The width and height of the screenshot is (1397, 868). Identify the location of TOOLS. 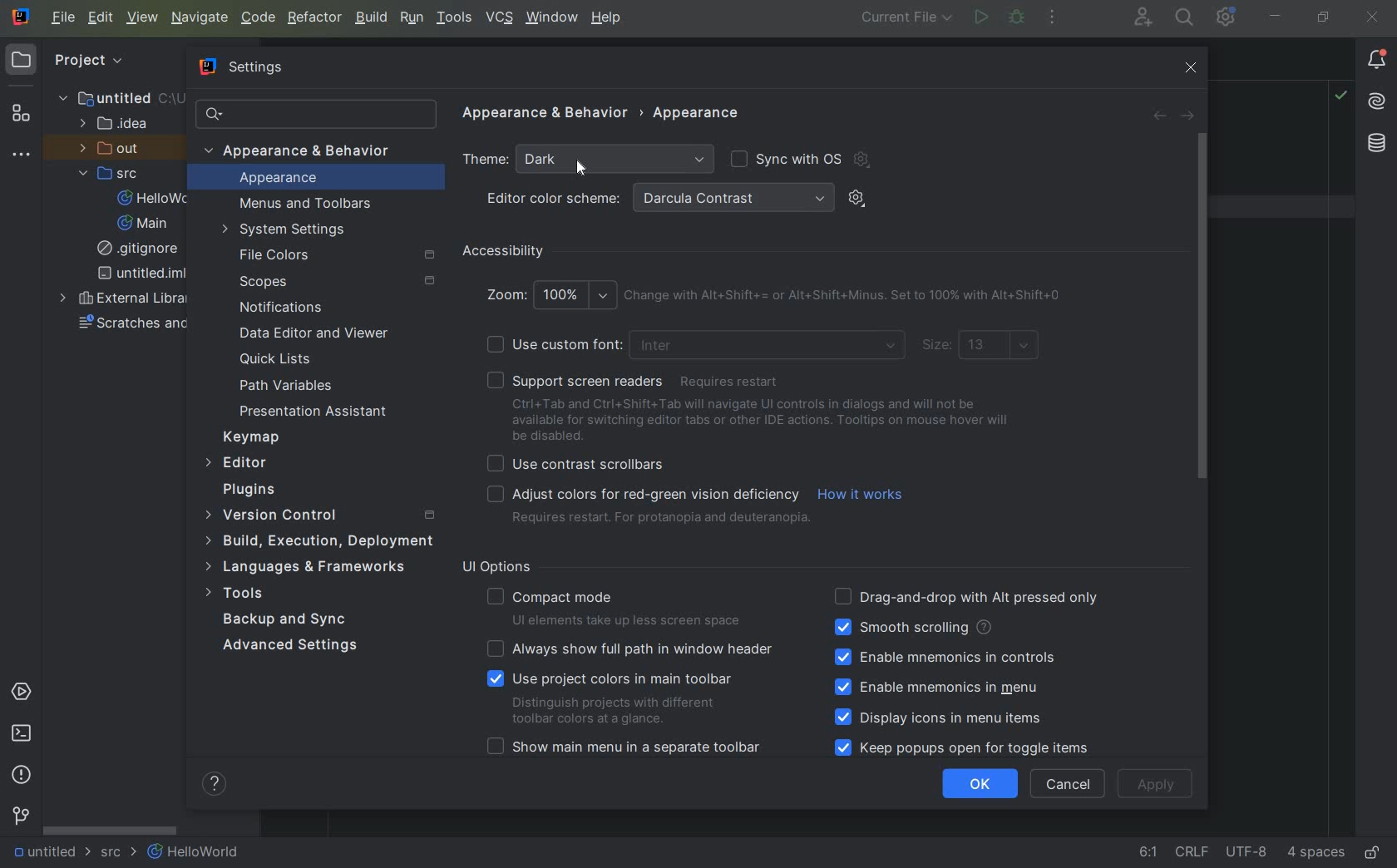
(454, 18).